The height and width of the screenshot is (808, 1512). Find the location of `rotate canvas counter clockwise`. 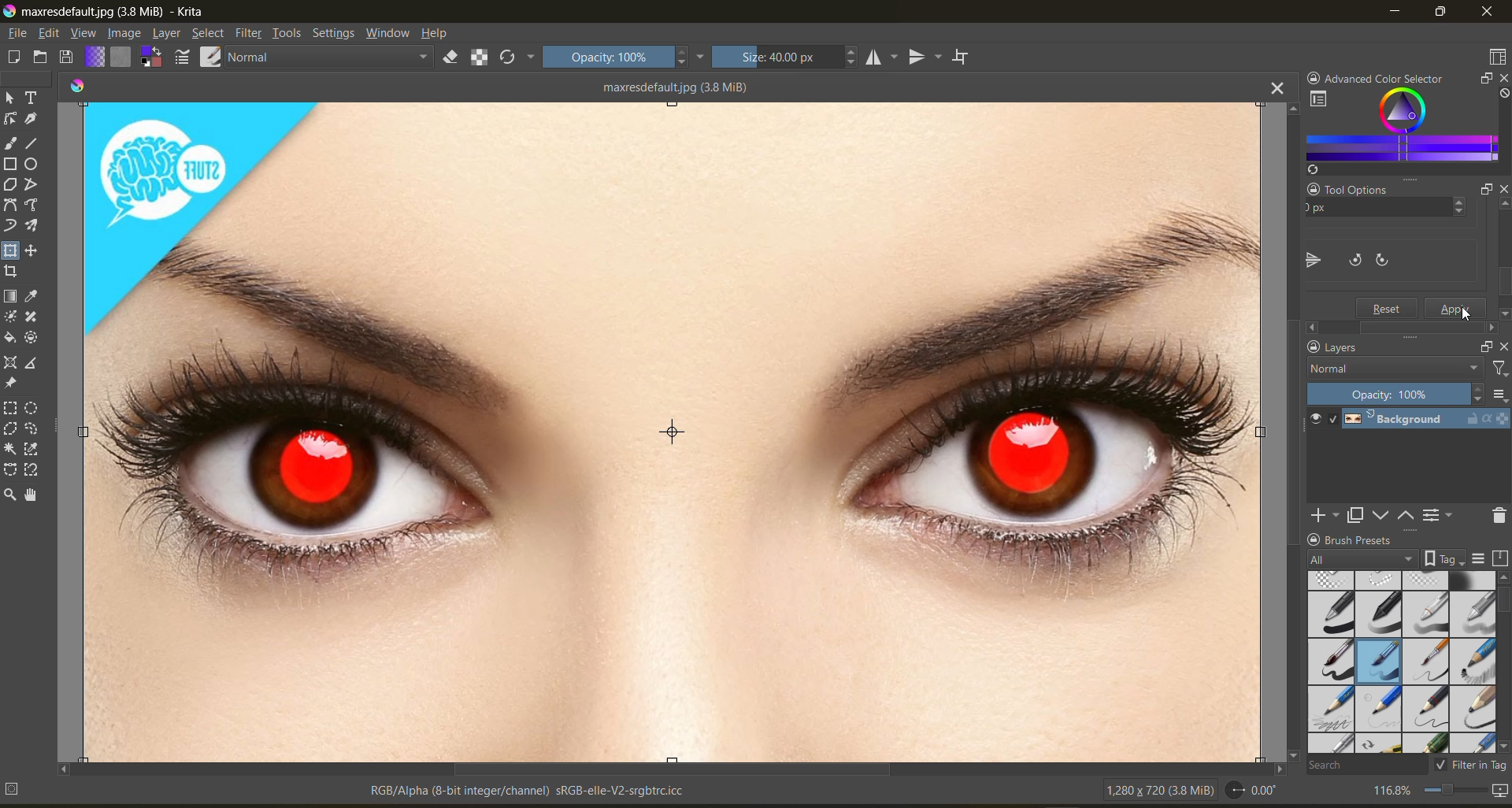

rotate canvas counter clockwise is located at coordinates (1416, 261).